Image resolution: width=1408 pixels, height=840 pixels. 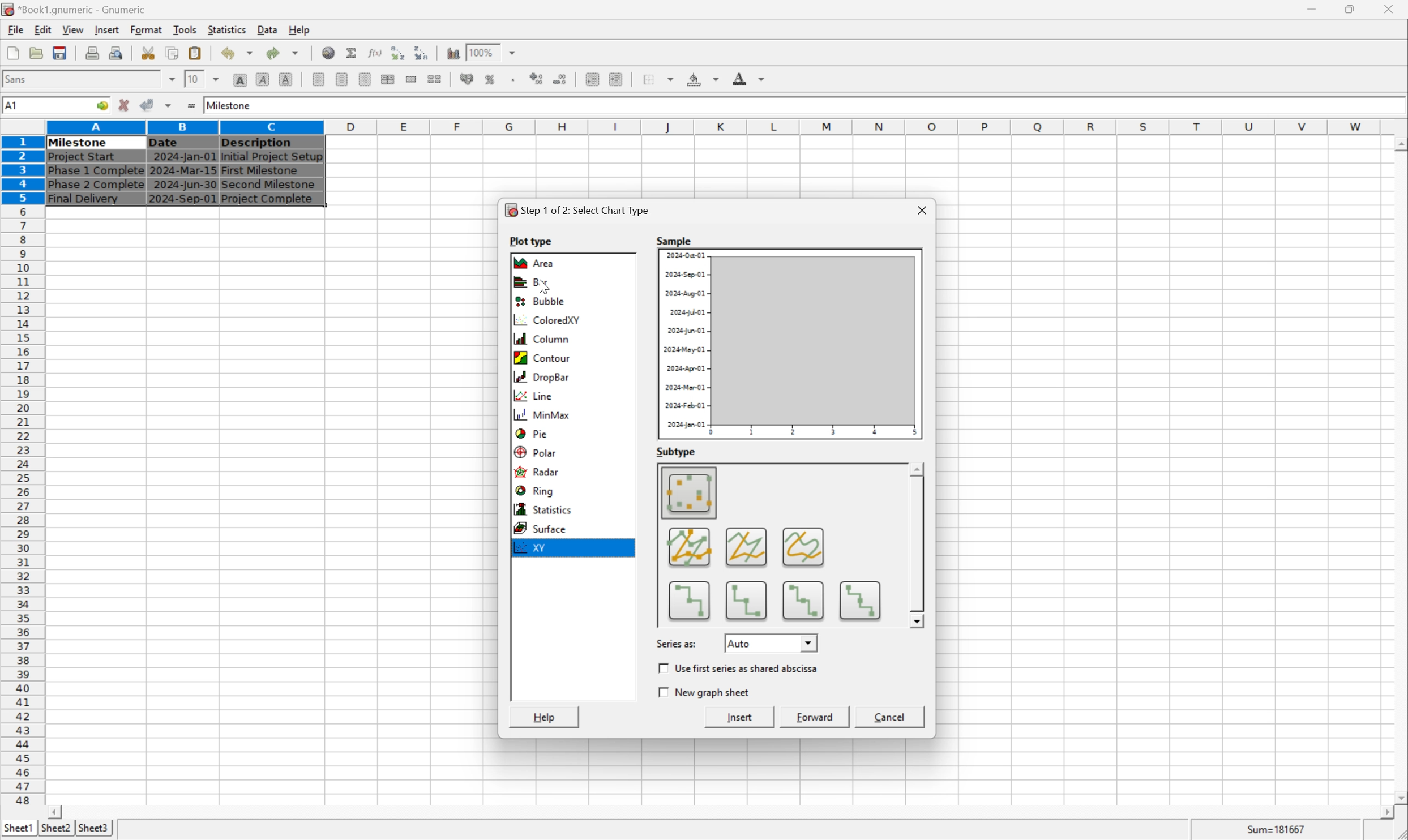 What do you see at coordinates (546, 528) in the screenshot?
I see `surface` at bounding box center [546, 528].